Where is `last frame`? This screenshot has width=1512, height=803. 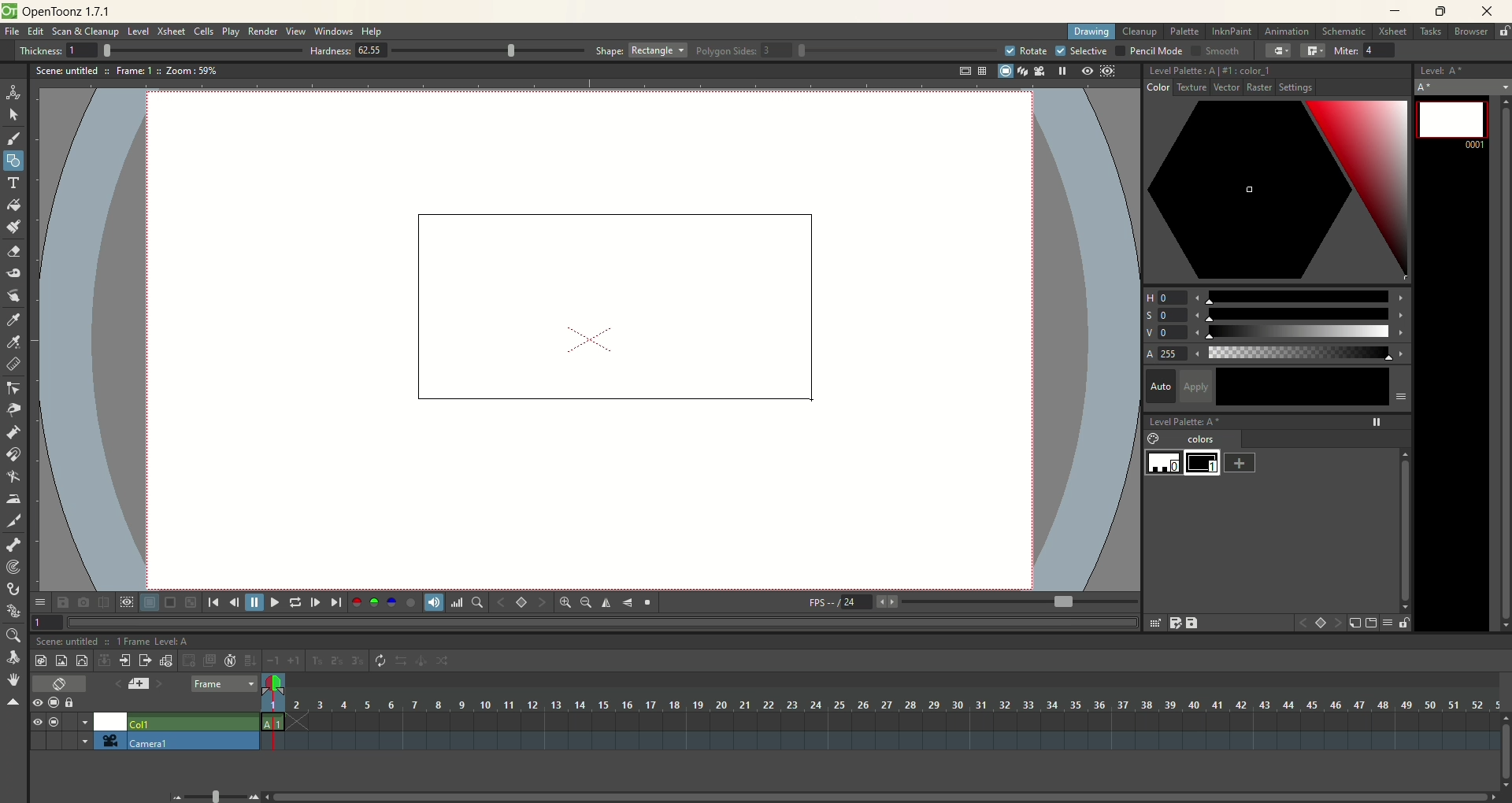 last frame is located at coordinates (338, 602).